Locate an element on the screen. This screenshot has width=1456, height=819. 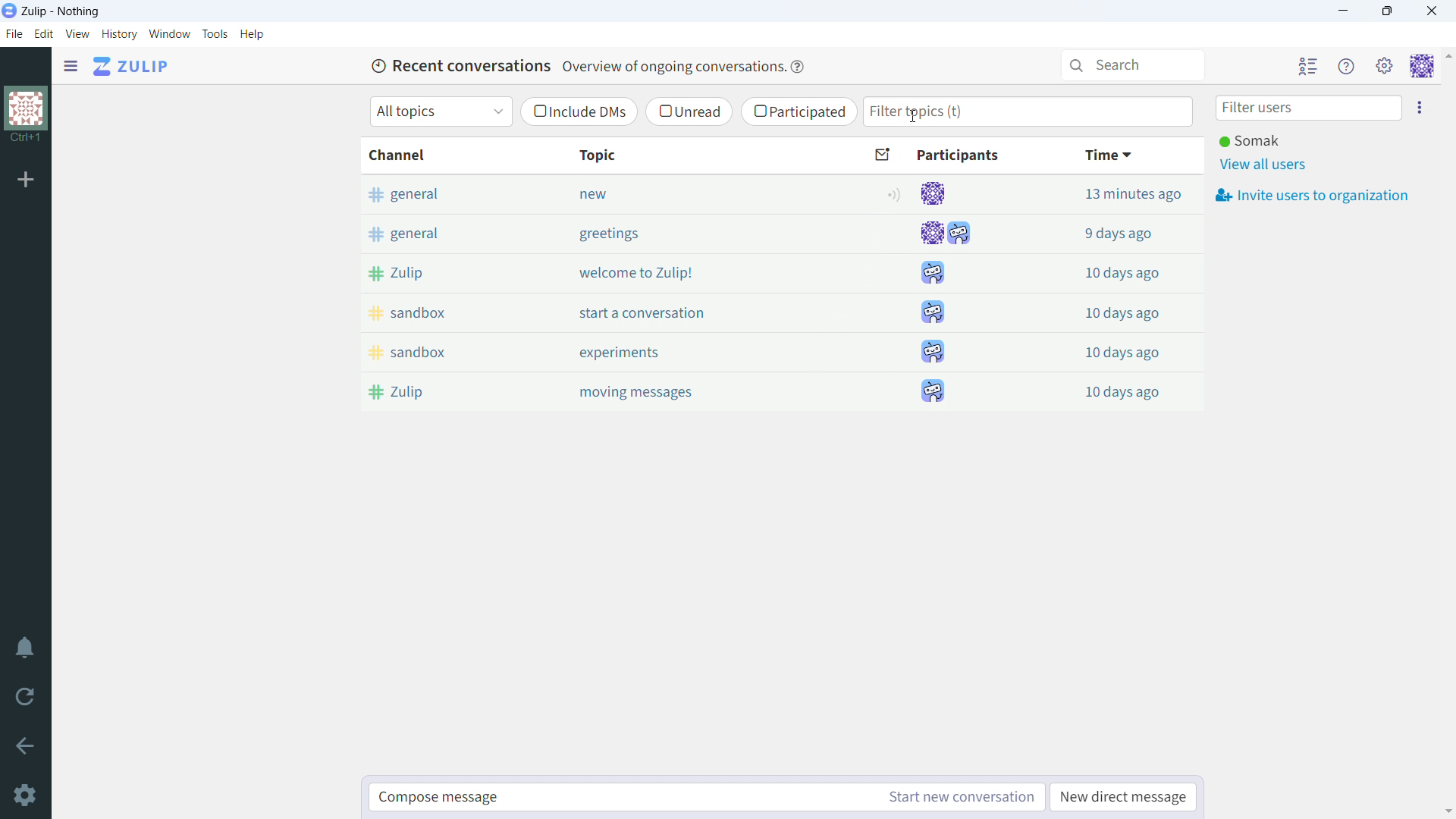
select topics is located at coordinates (441, 111).